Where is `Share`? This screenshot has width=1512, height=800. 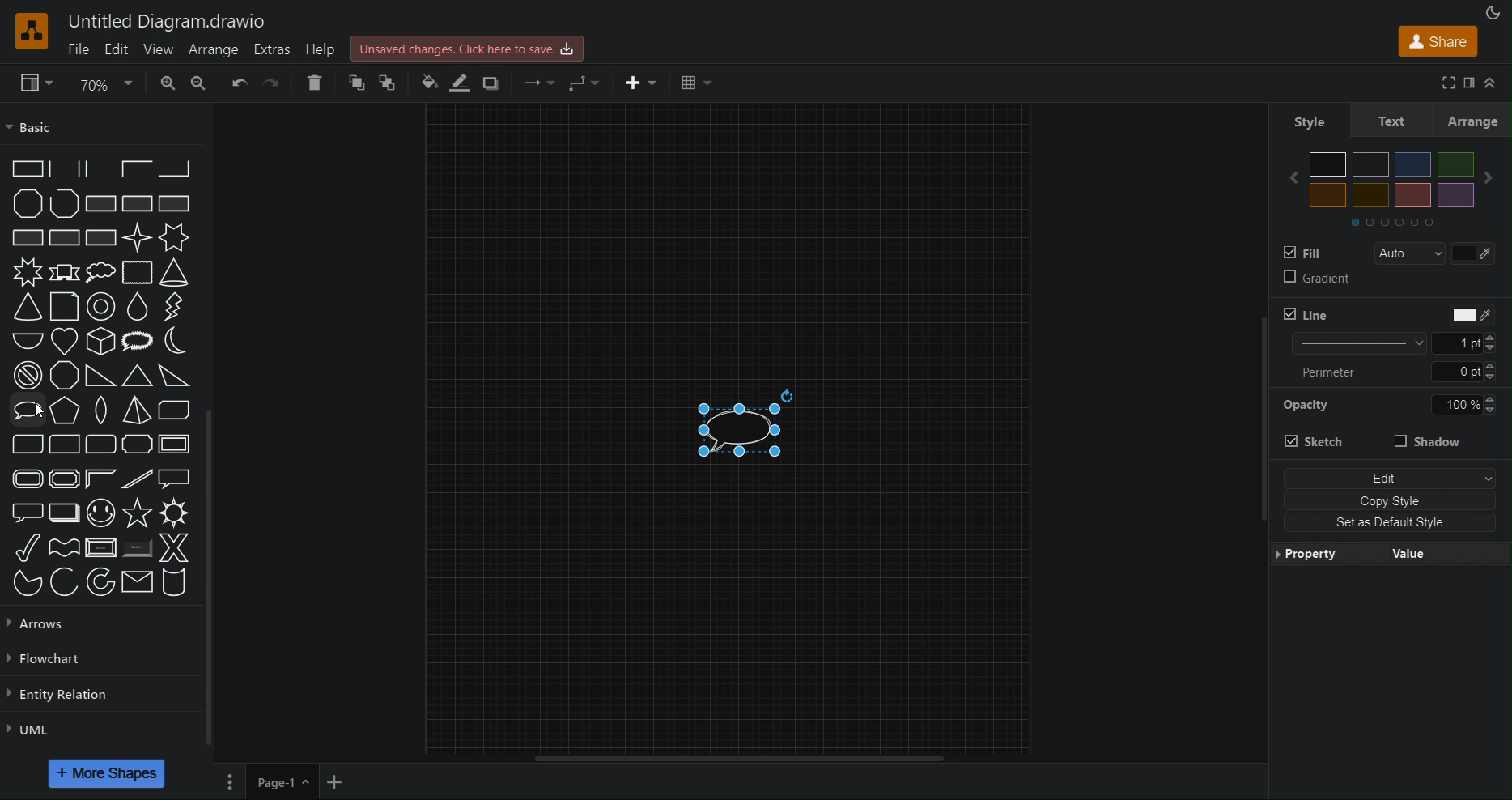
Share is located at coordinates (1431, 44).